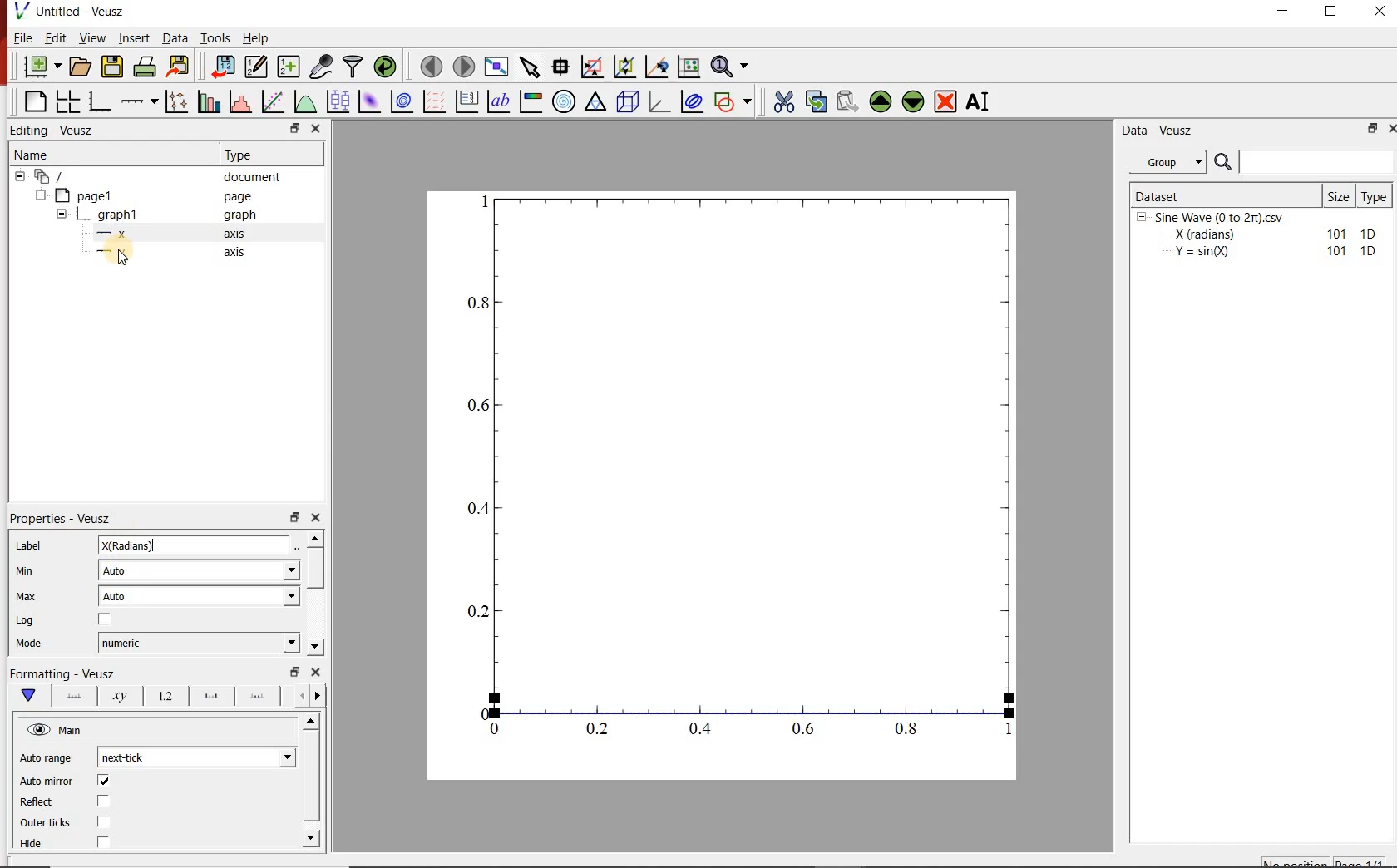 The image size is (1397, 868). What do you see at coordinates (257, 67) in the screenshot?
I see `edit and enter new datasets` at bounding box center [257, 67].